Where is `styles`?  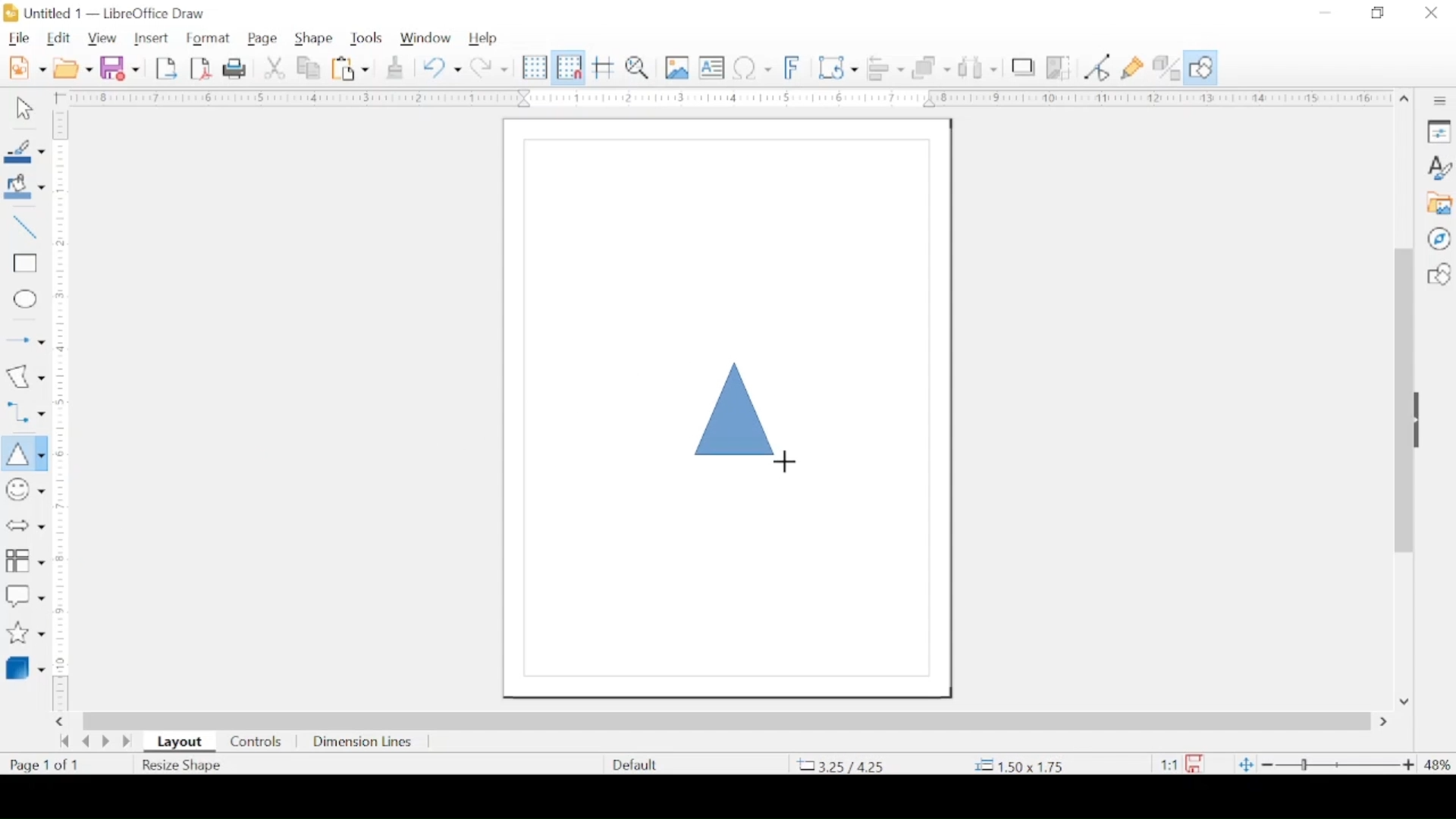
styles is located at coordinates (1440, 167).